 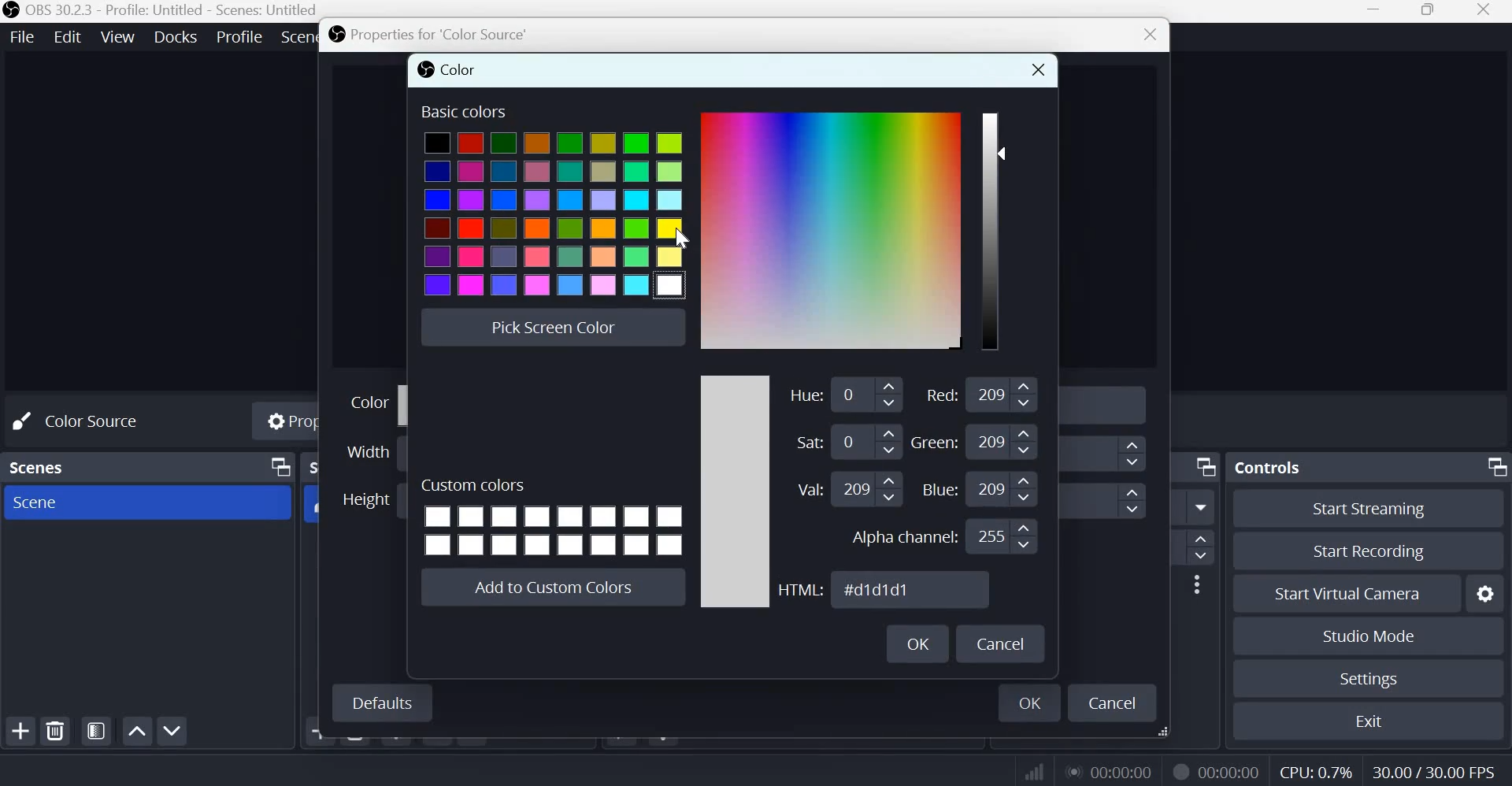 What do you see at coordinates (550, 328) in the screenshot?
I see `Pick screen color` at bounding box center [550, 328].